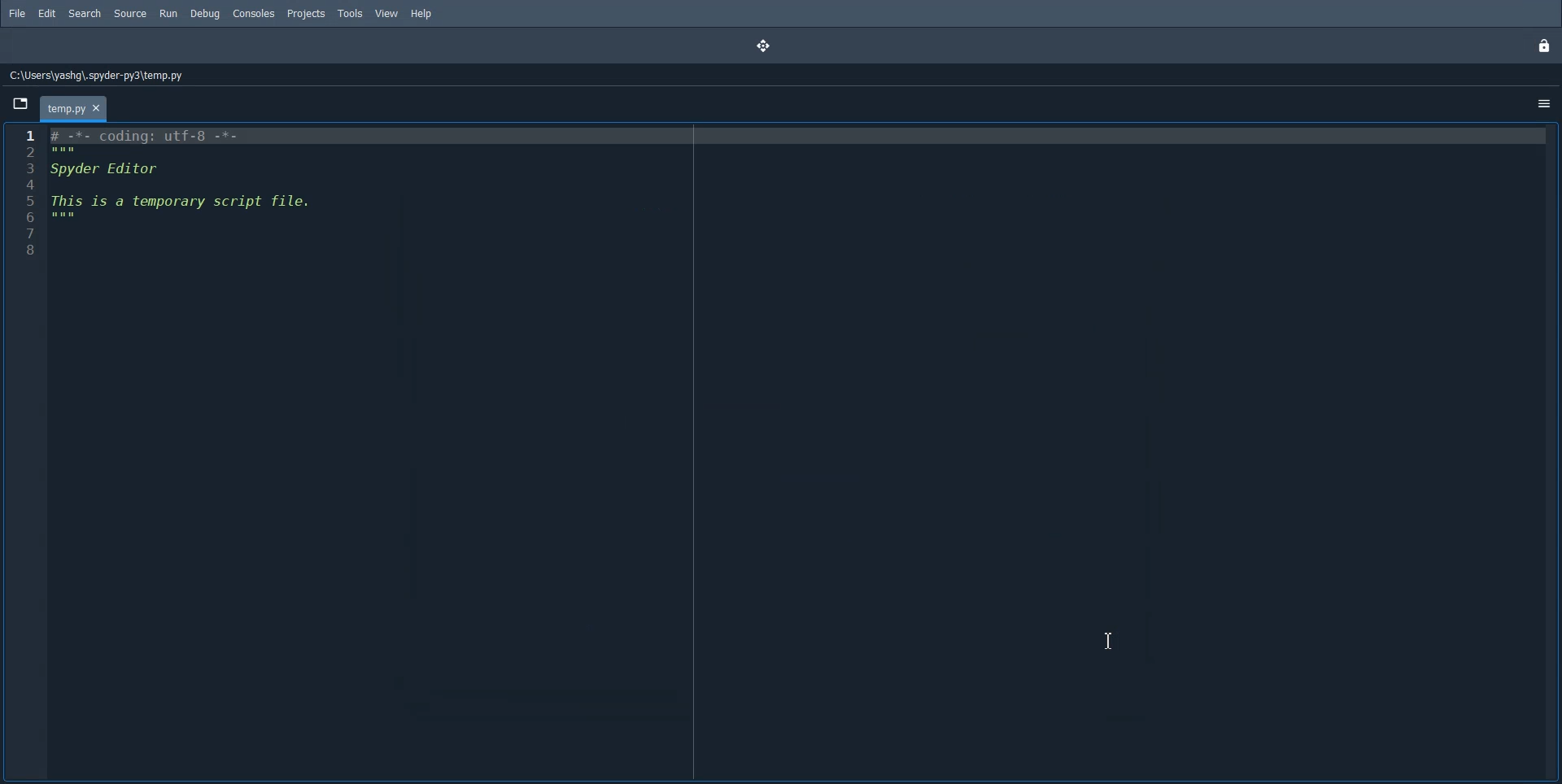 This screenshot has width=1562, height=784. I want to click on Browse tab, so click(20, 103).